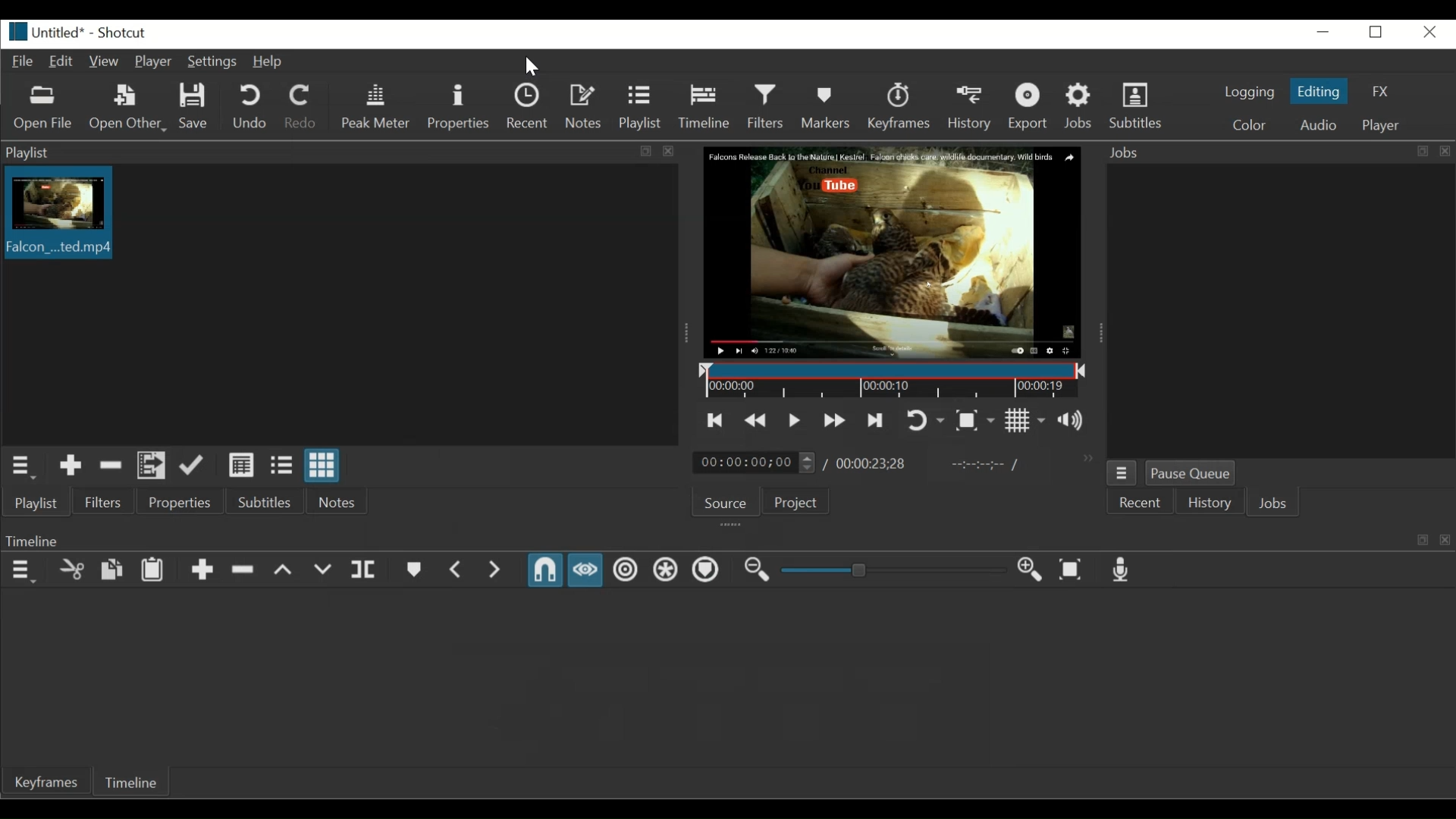  I want to click on Paste, so click(152, 570).